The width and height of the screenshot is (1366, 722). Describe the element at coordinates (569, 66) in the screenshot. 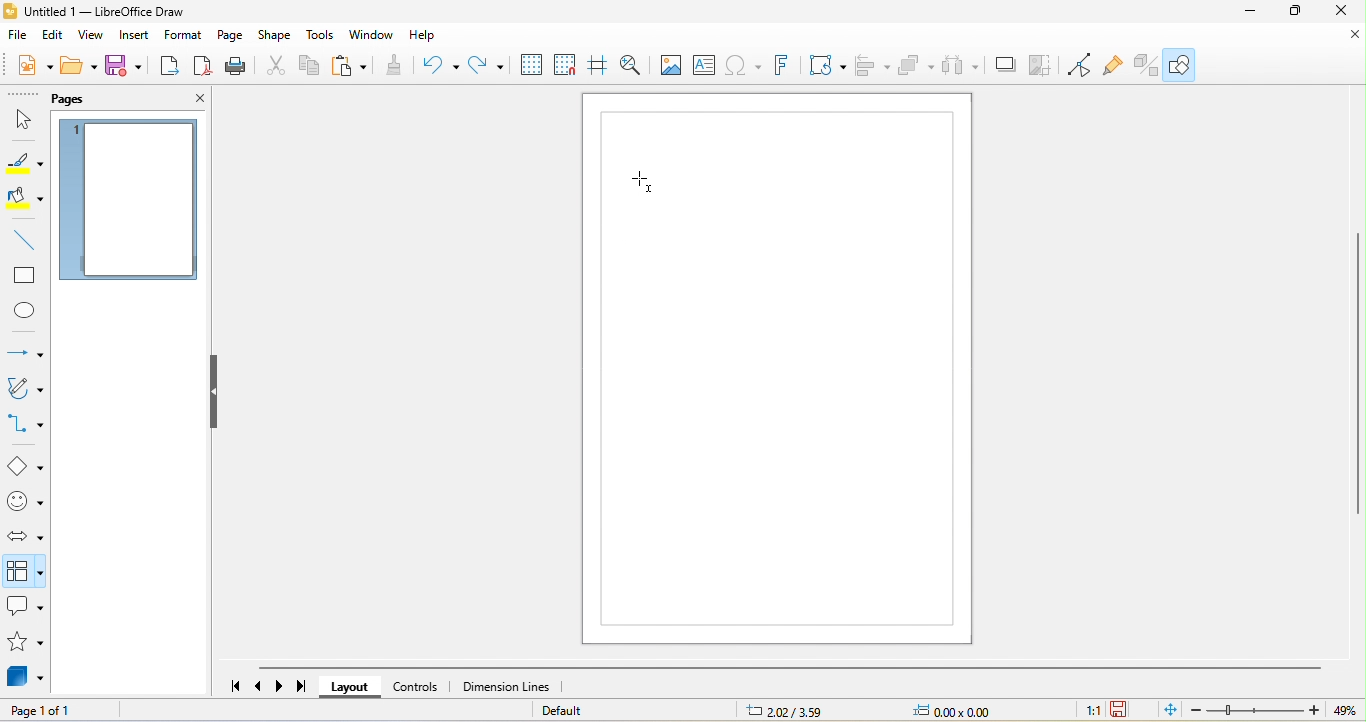

I see `snap to grid` at that location.